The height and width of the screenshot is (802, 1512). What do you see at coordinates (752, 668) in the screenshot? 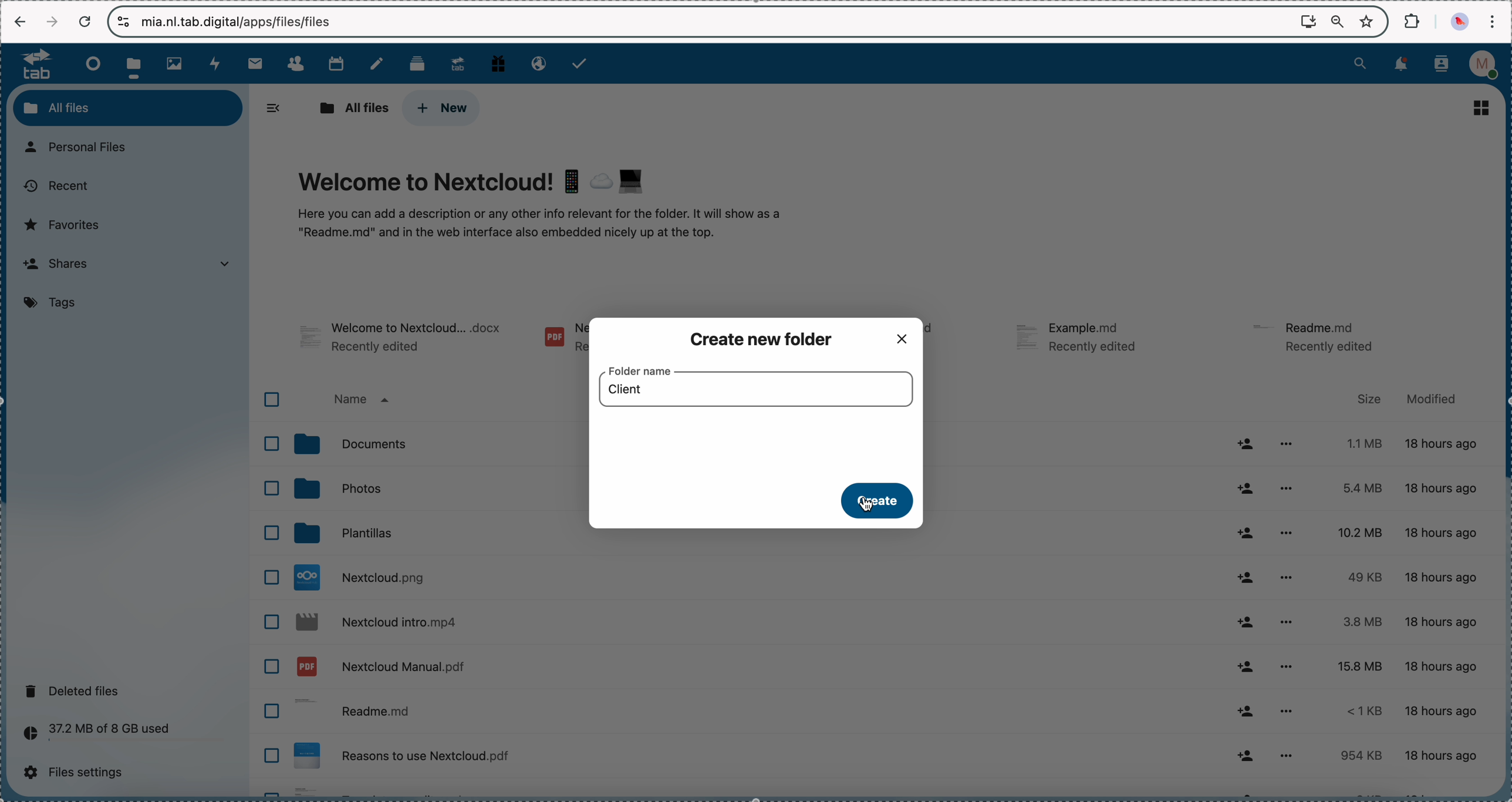
I see `file` at bounding box center [752, 668].